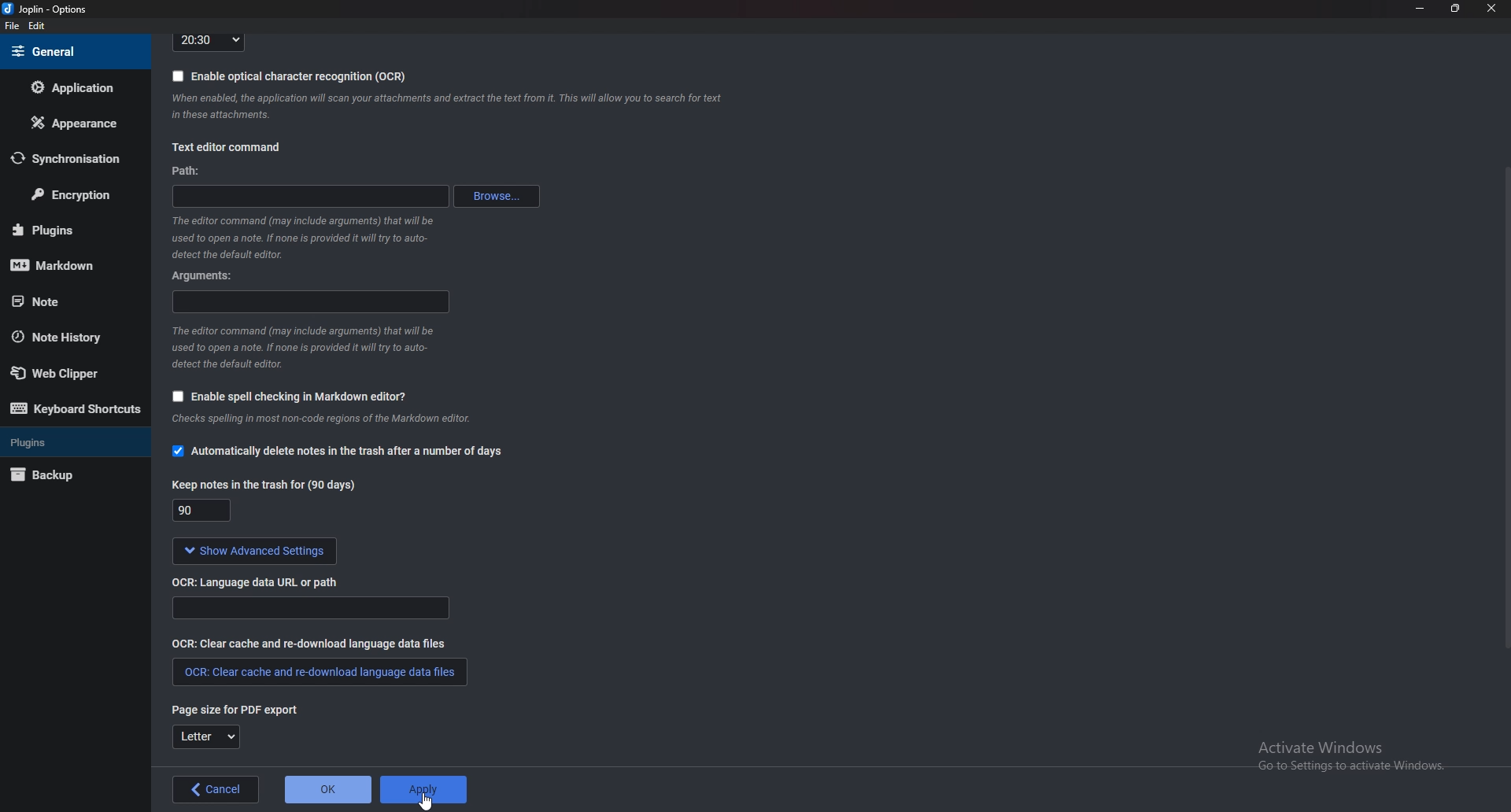  What do you see at coordinates (328, 790) in the screenshot?
I see `ok` at bounding box center [328, 790].